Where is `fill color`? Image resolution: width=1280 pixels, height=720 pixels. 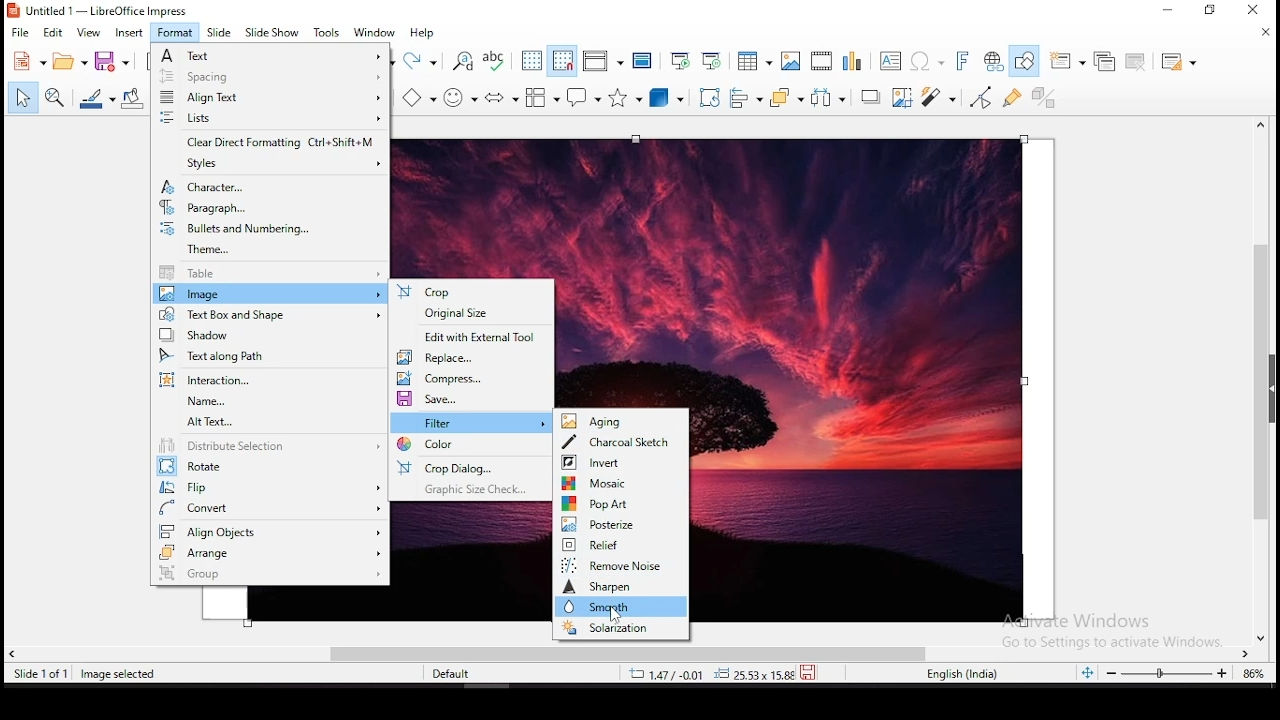
fill color is located at coordinates (132, 97).